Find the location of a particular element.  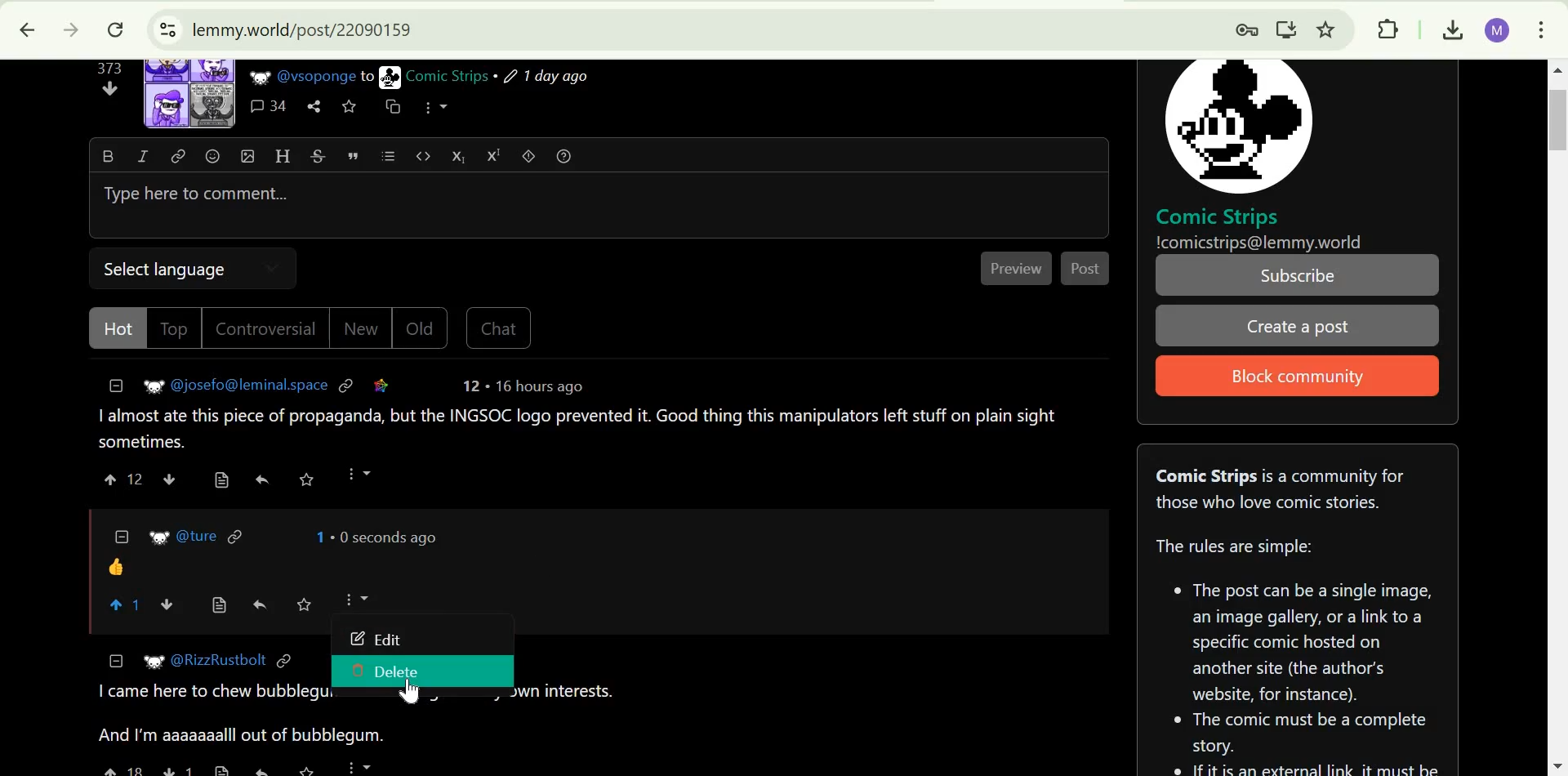

user ID is located at coordinates (198, 536).